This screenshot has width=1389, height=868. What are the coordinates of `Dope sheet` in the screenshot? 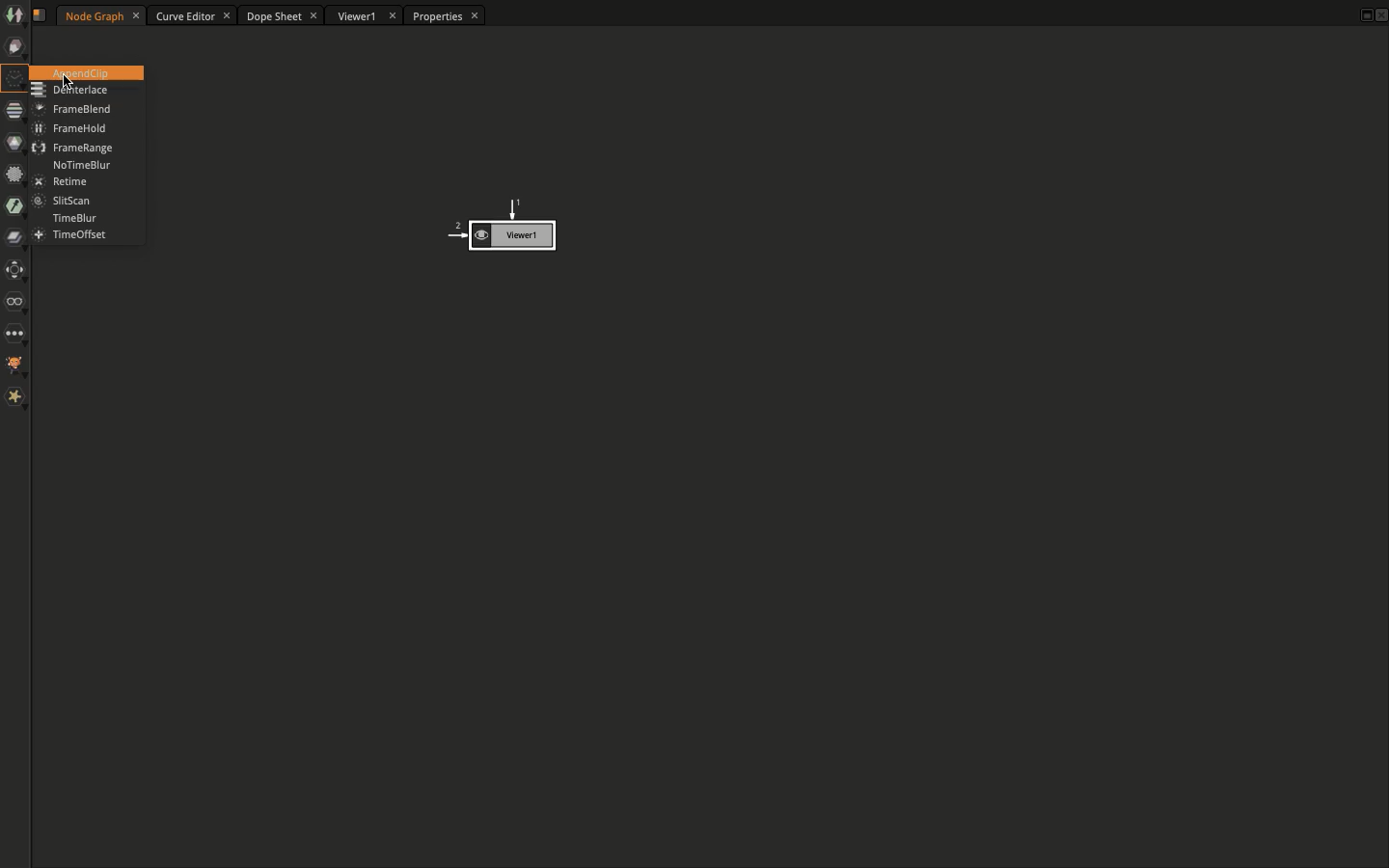 It's located at (283, 17).